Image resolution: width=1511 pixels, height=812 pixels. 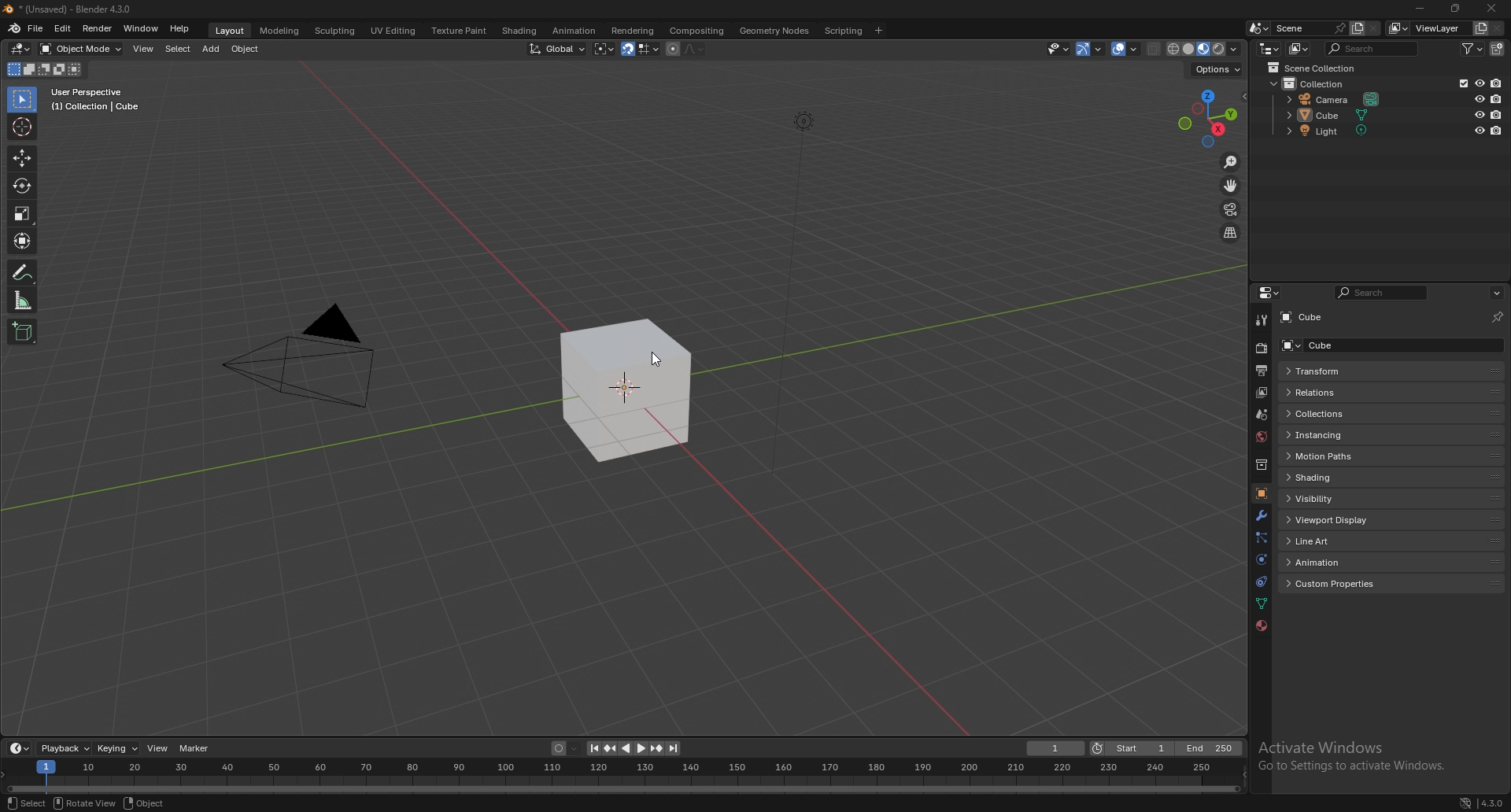 What do you see at coordinates (1393, 520) in the screenshot?
I see `viewport display` at bounding box center [1393, 520].